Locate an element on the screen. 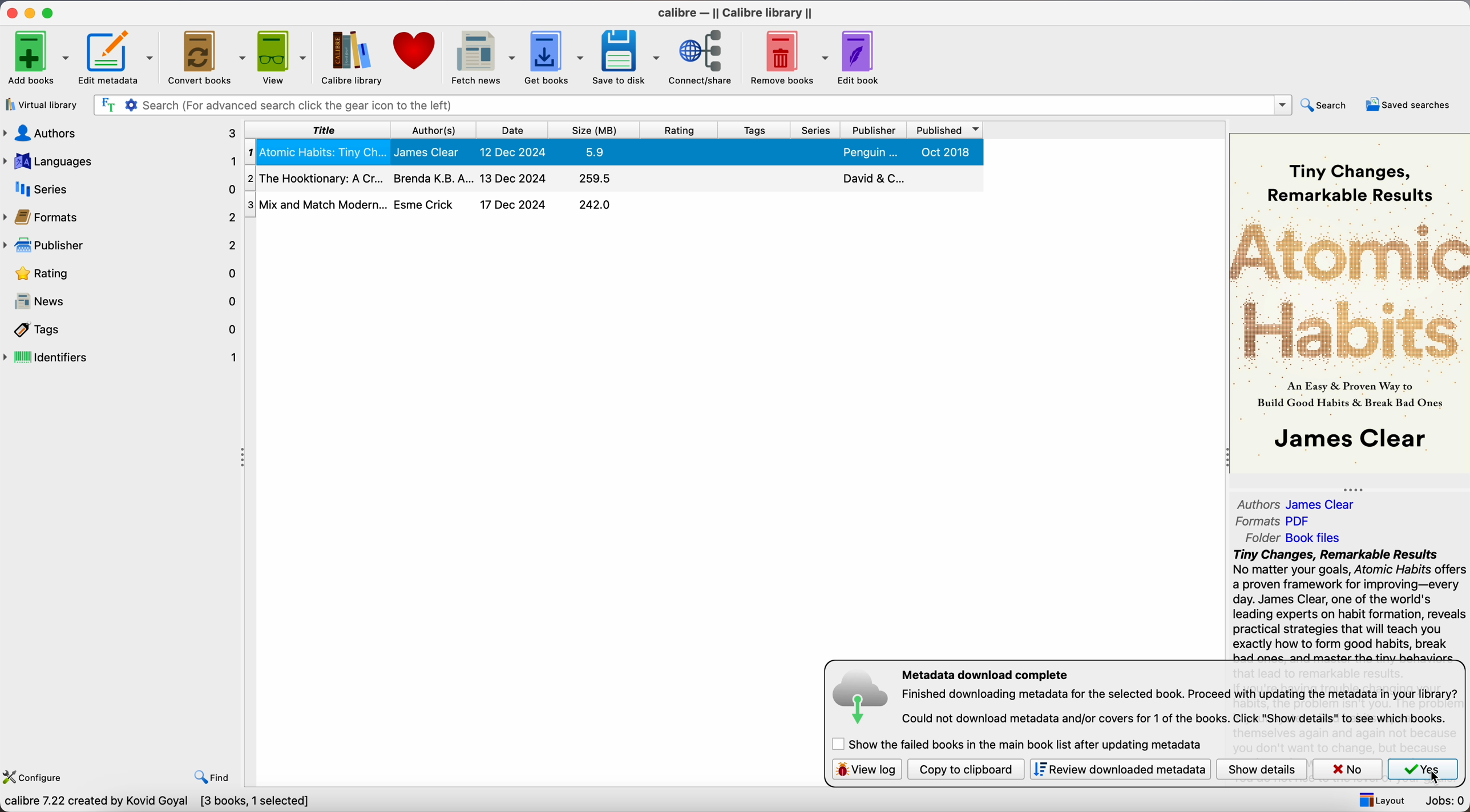 The width and height of the screenshot is (1470, 812). The Hooktionary: A Cr... is located at coordinates (317, 177).